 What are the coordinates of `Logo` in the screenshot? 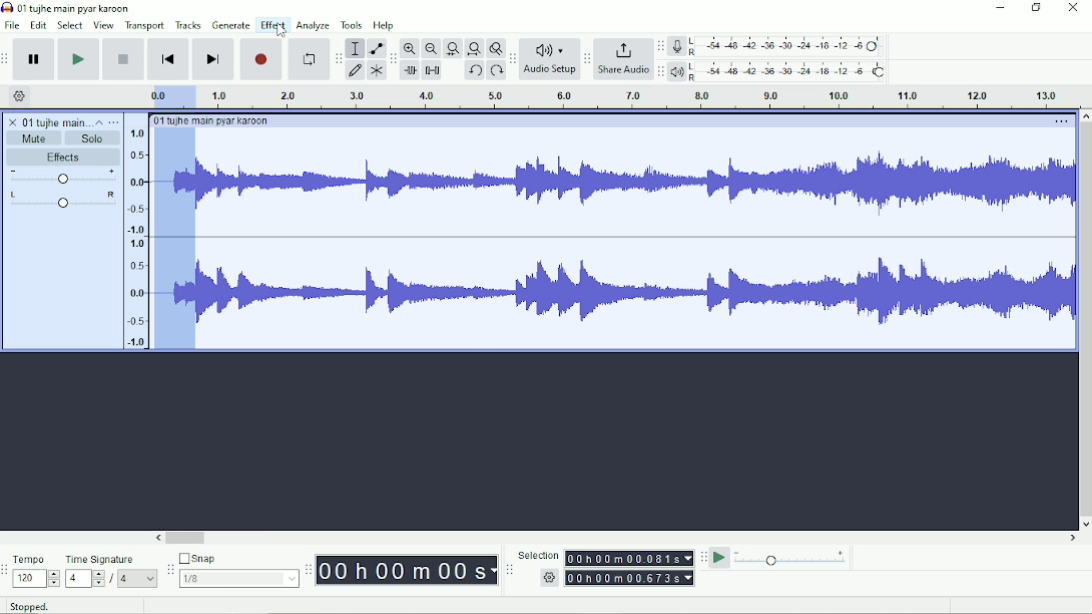 It's located at (7, 7).